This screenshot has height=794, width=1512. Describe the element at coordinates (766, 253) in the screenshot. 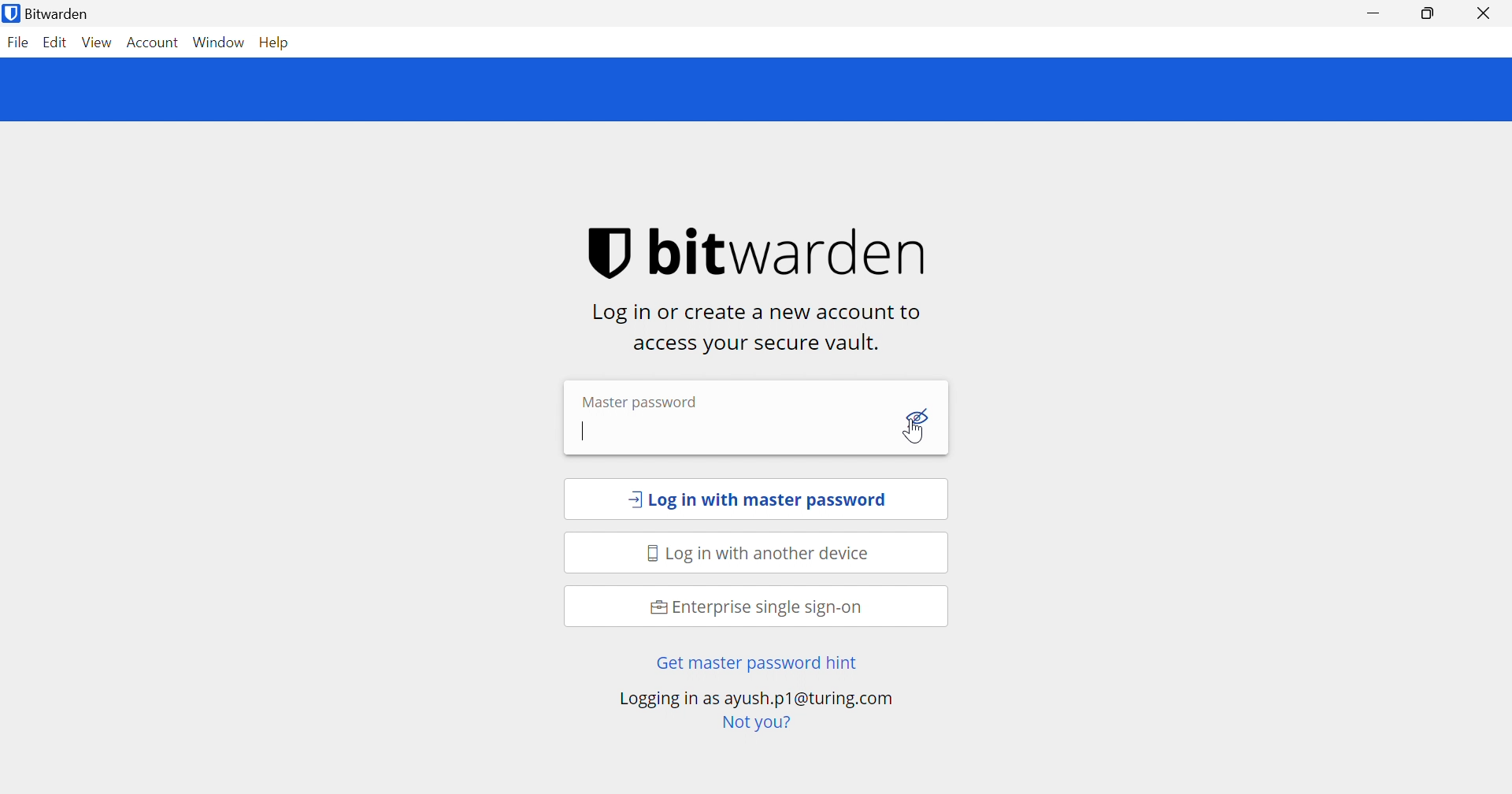

I see `bitwarden` at that location.